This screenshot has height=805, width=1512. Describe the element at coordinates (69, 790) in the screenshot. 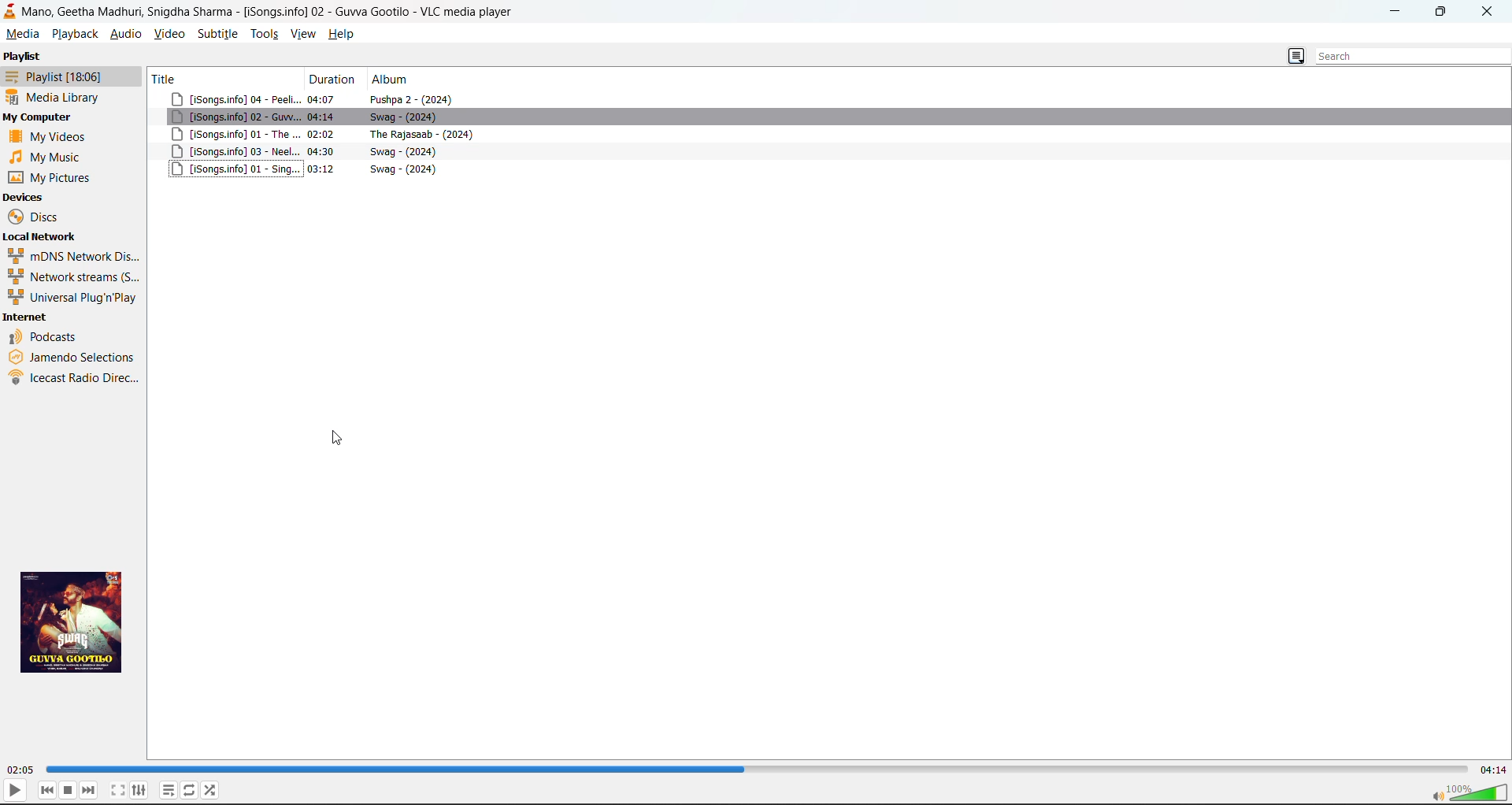

I see `stop` at that location.